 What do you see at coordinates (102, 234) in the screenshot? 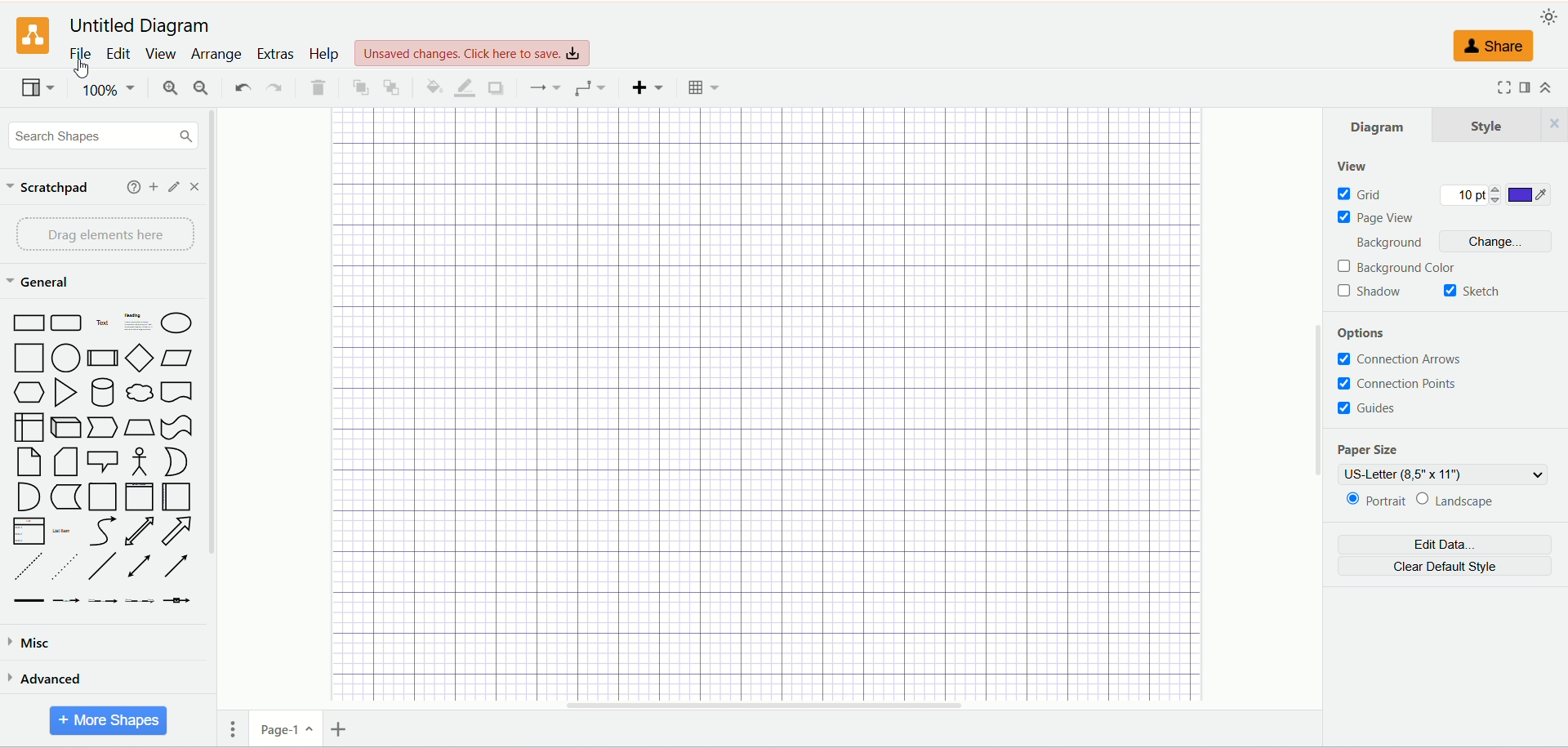
I see `drag element here` at bounding box center [102, 234].